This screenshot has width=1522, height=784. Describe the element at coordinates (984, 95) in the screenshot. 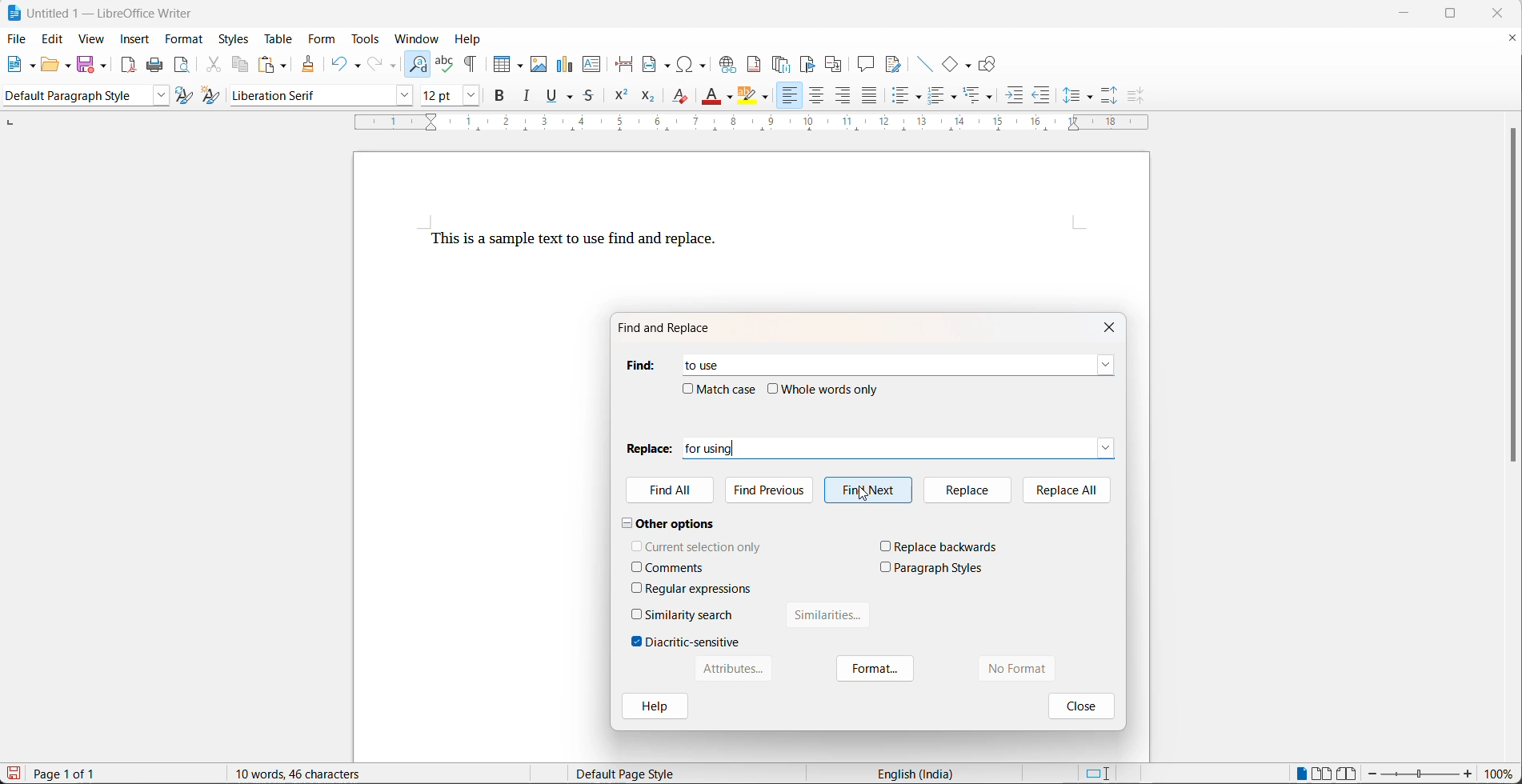

I see `select outline formatting` at that location.